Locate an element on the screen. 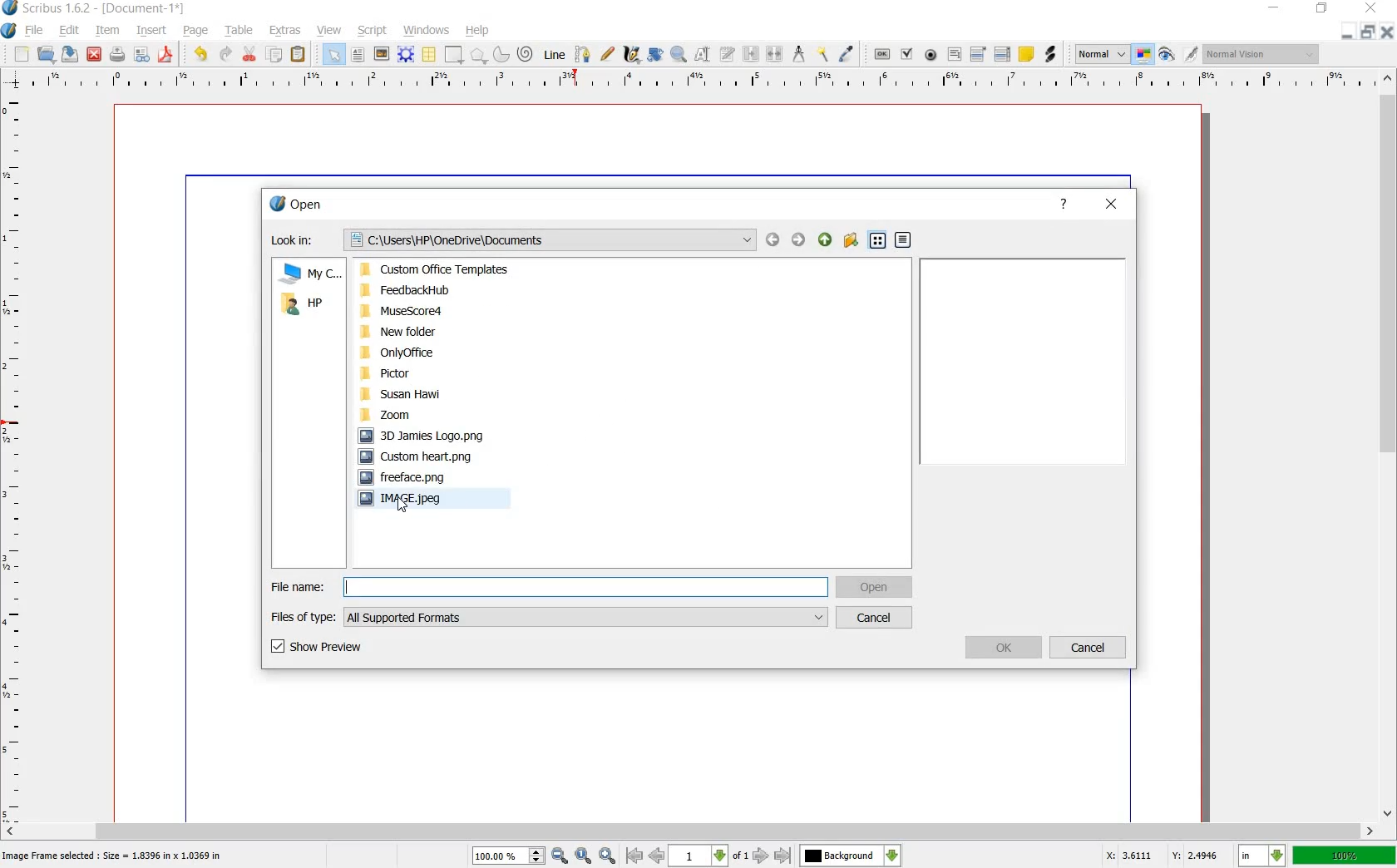 The width and height of the screenshot is (1397, 868). scrollbar is located at coordinates (689, 830).